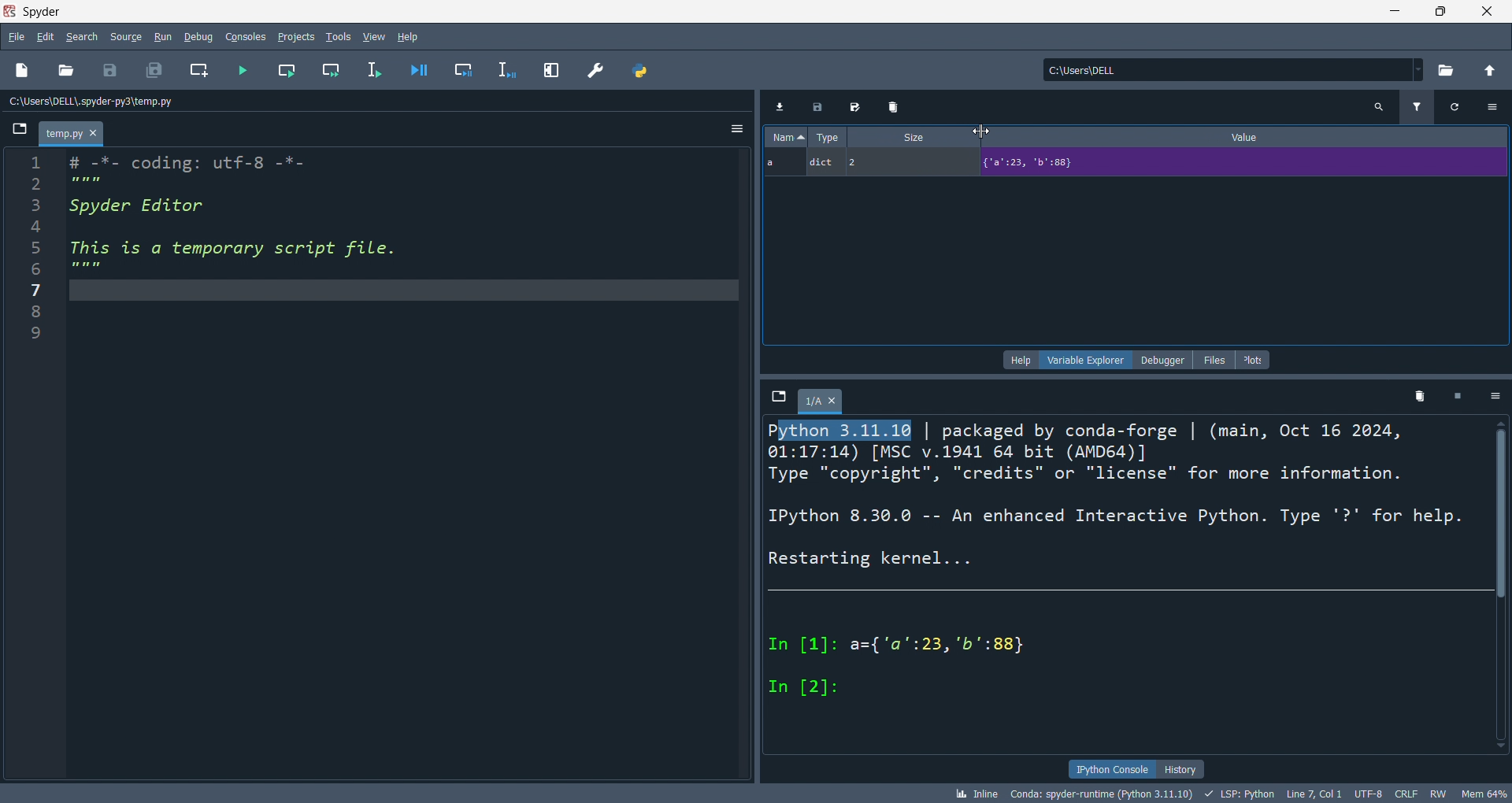 This screenshot has height=803, width=1512. I want to click on name , so click(784, 139).